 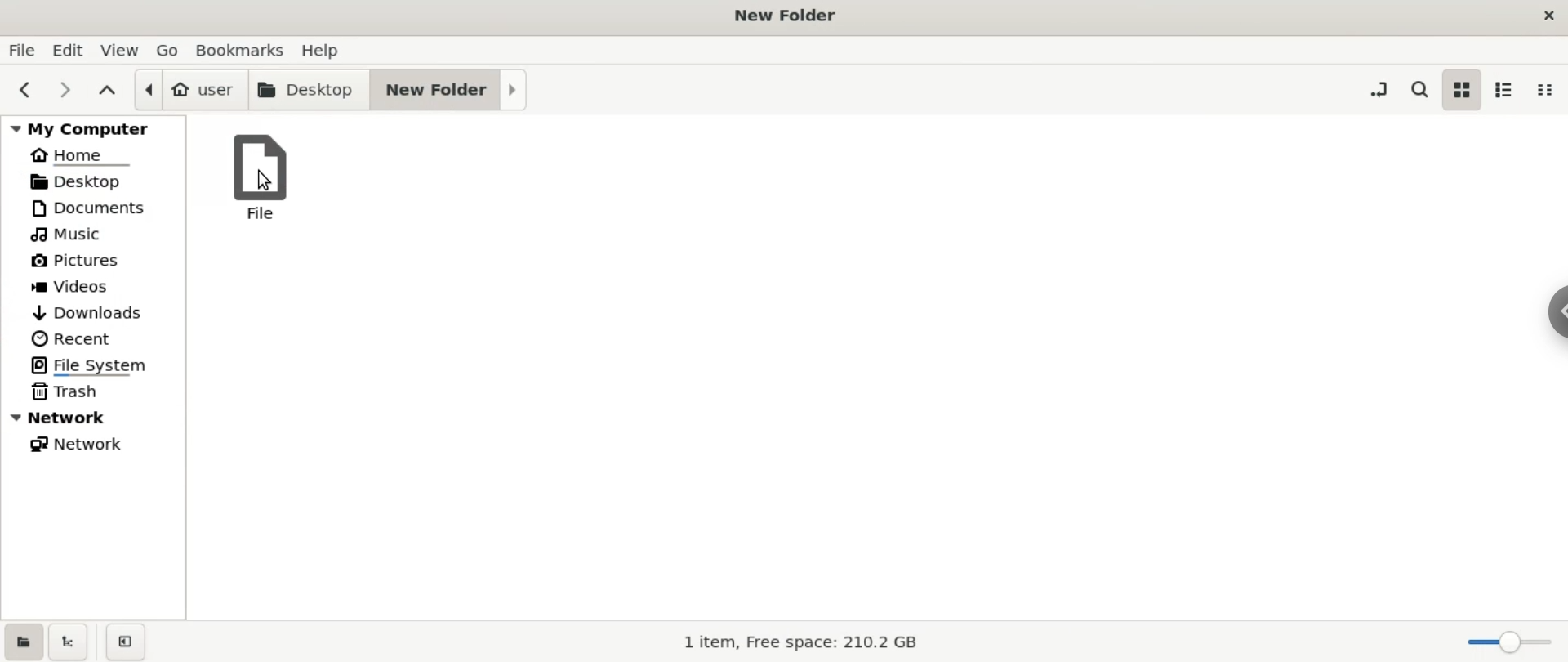 I want to click on edit, so click(x=68, y=51).